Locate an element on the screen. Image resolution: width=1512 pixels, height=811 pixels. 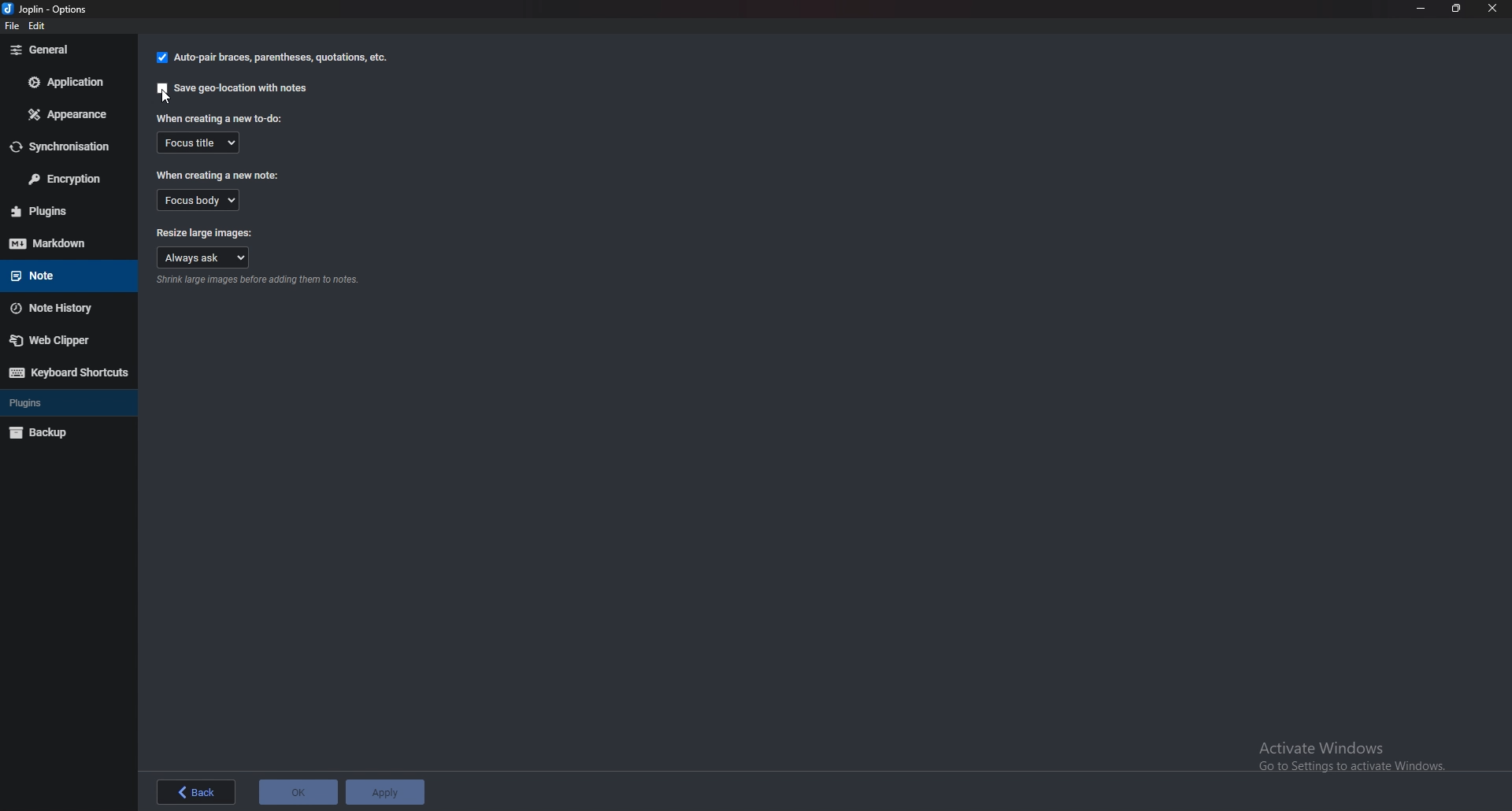
Resize large images is located at coordinates (220, 233).